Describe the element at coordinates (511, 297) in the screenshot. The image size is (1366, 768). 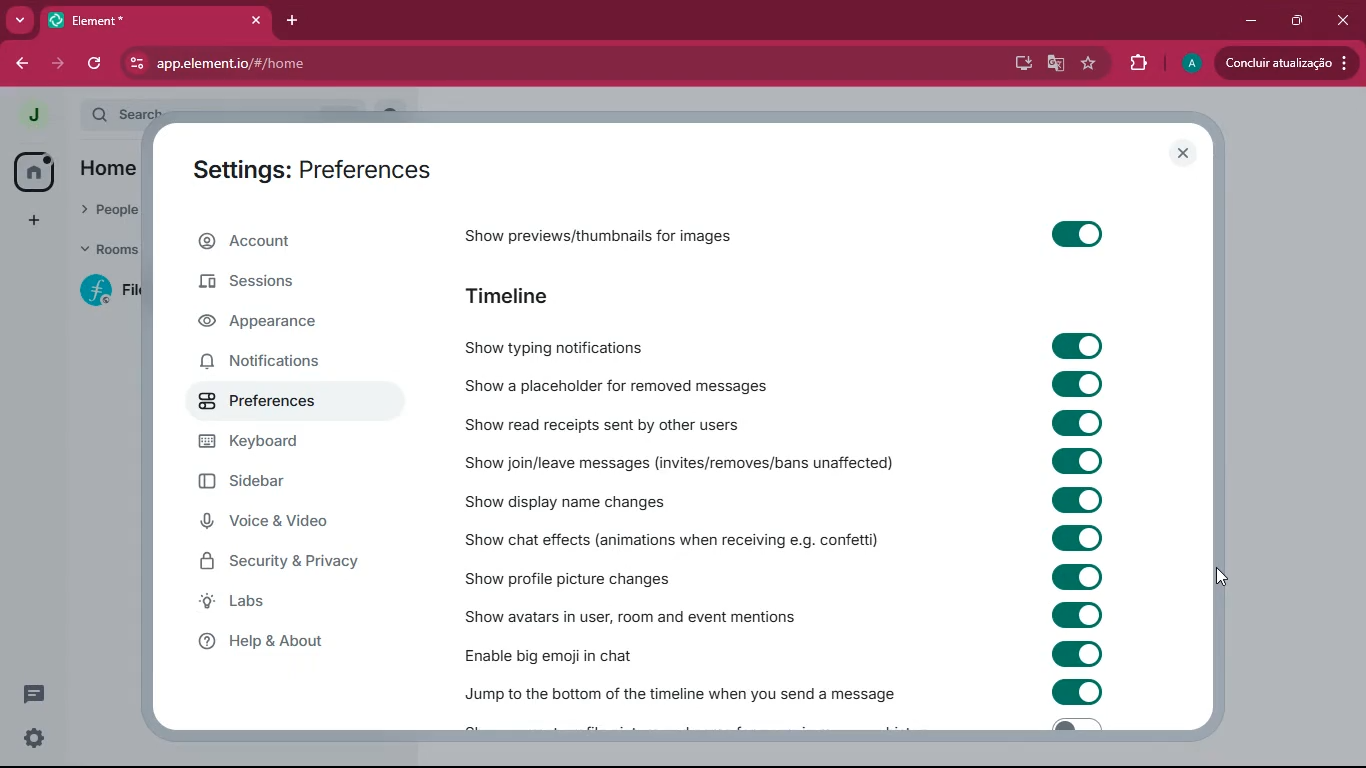
I see `timeline` at that location.